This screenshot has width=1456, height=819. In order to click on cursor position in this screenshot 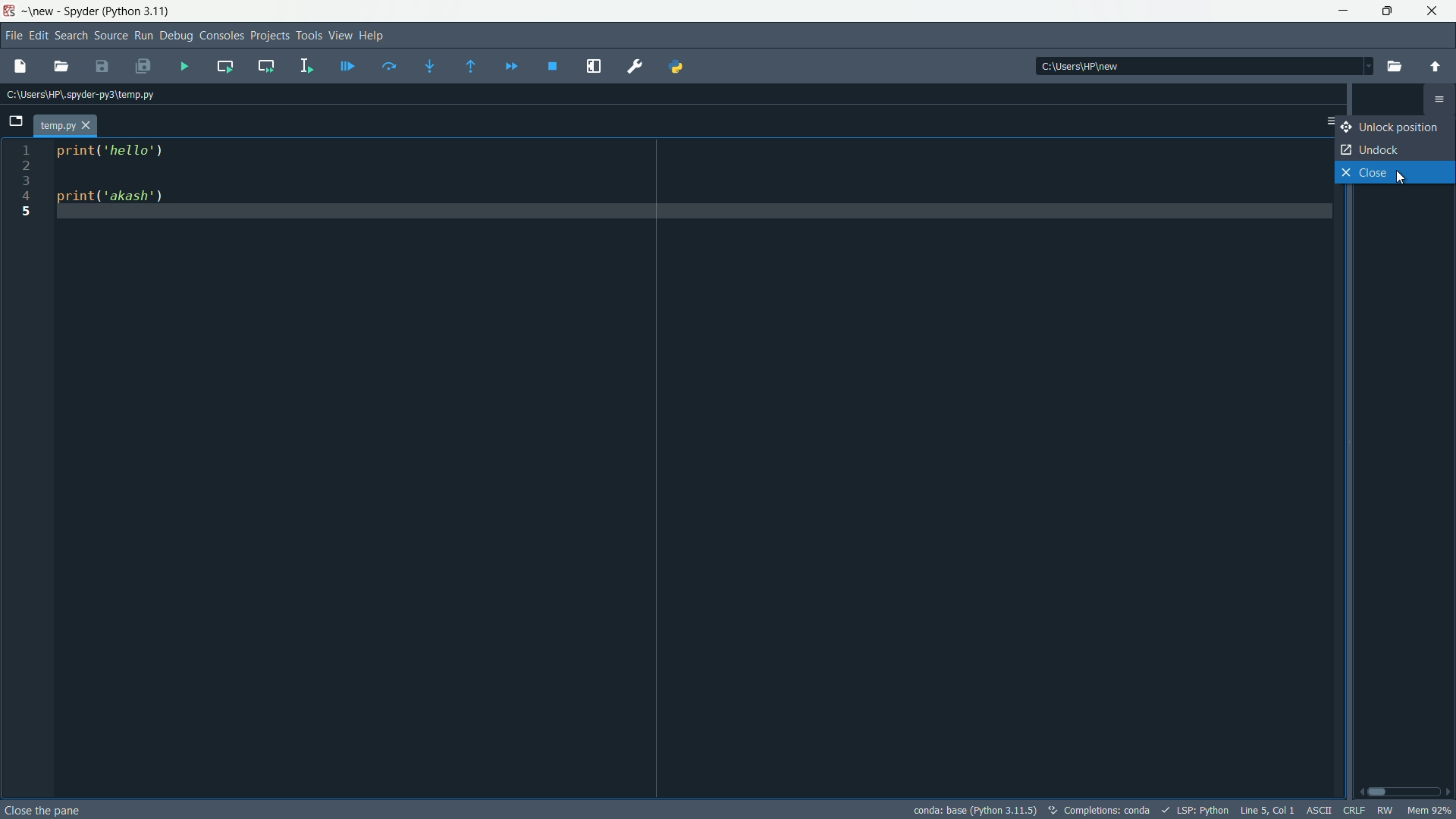, I will do `click(1265, 809)`.